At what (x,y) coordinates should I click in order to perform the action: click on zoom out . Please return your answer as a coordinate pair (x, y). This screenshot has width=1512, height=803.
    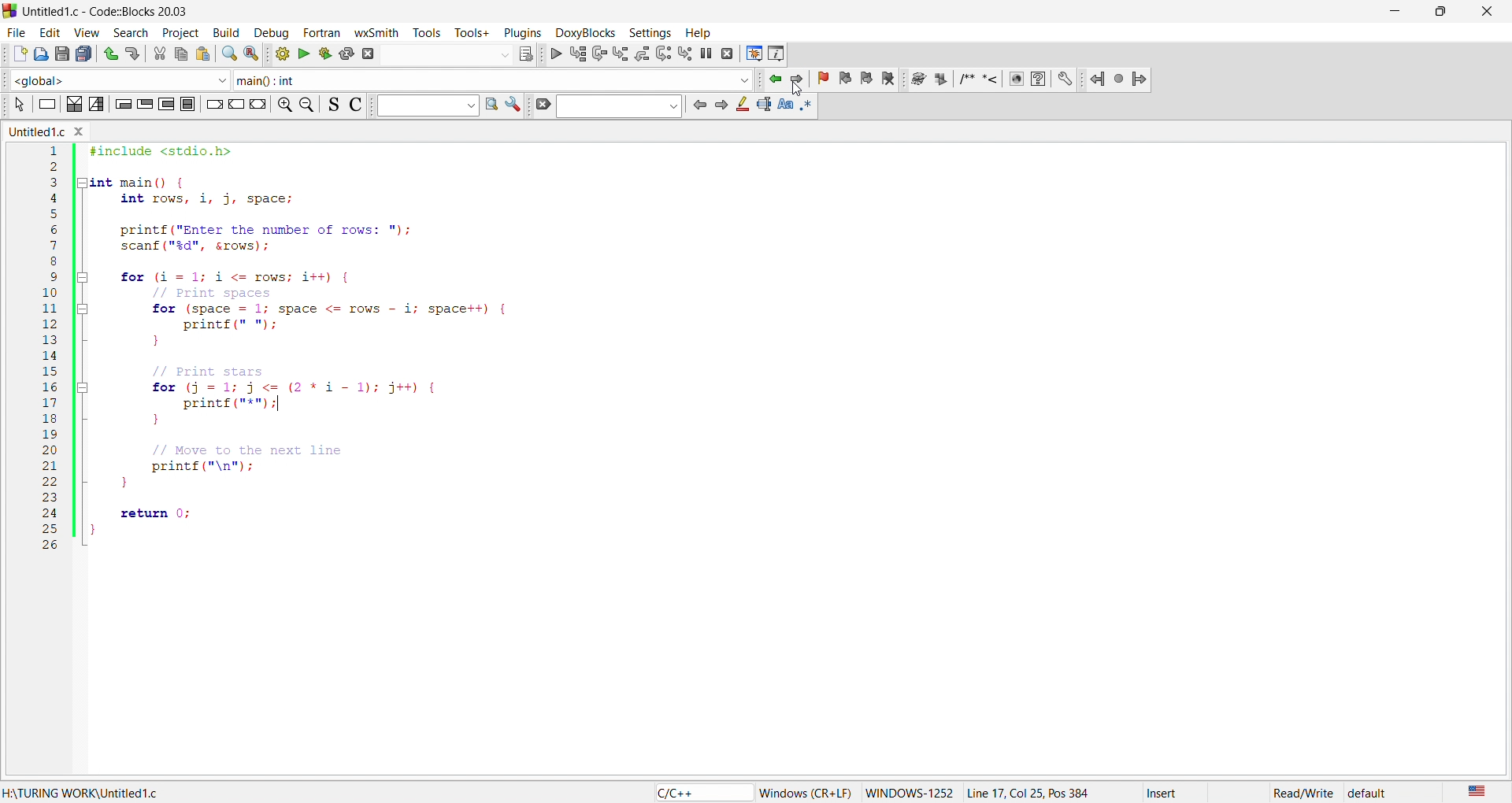
    Looking at the image, I should click on (309, 105).